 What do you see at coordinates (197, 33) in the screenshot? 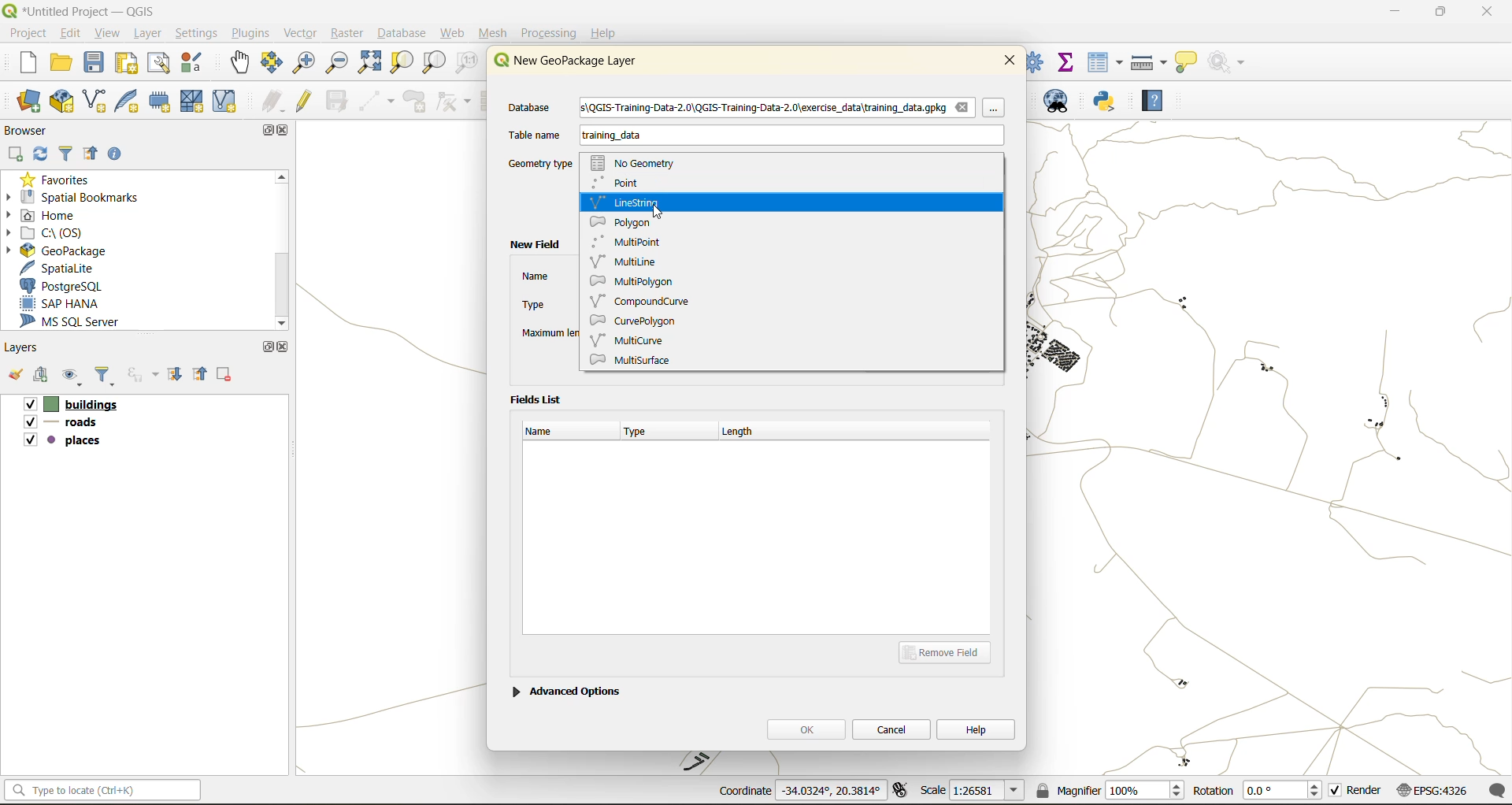
I see `settings` at bounding box center [197, 33].